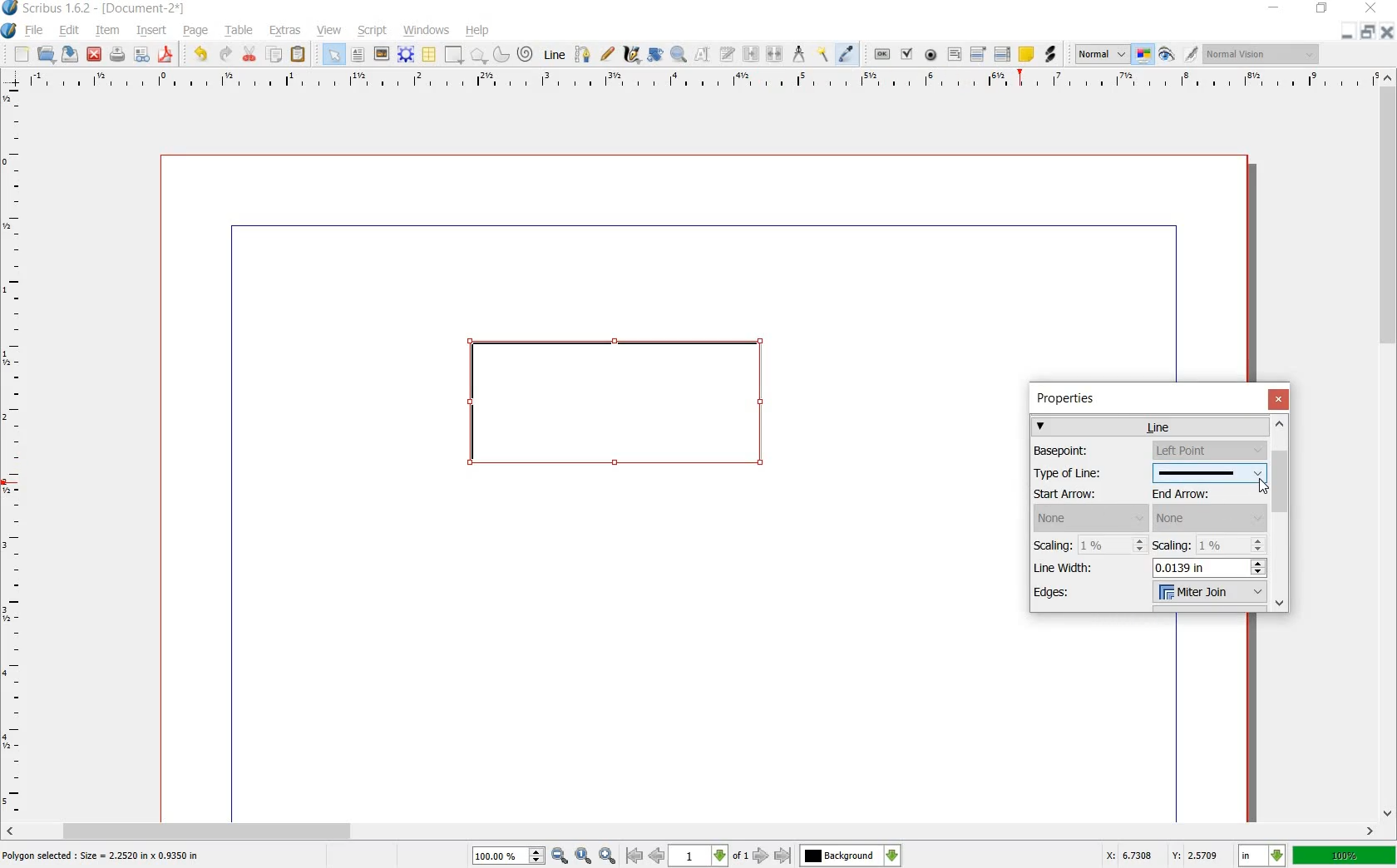 The image size is (1397, 868). Describe the element at coordinates (583, 856) in the screenshot. I see `zoom to` at that location.